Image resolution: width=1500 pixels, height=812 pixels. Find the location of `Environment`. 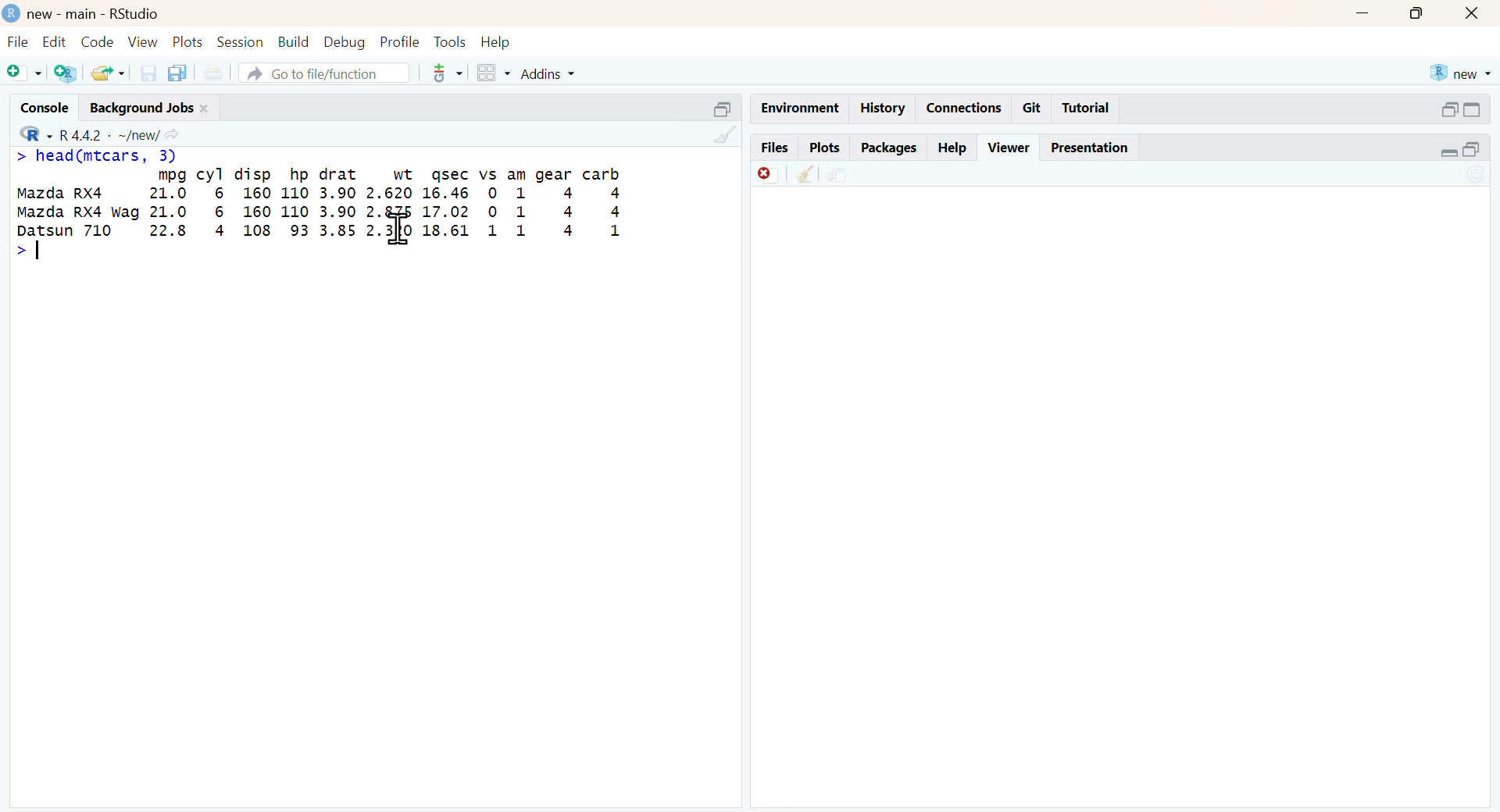

Environment is located at coordinates (798, 107).